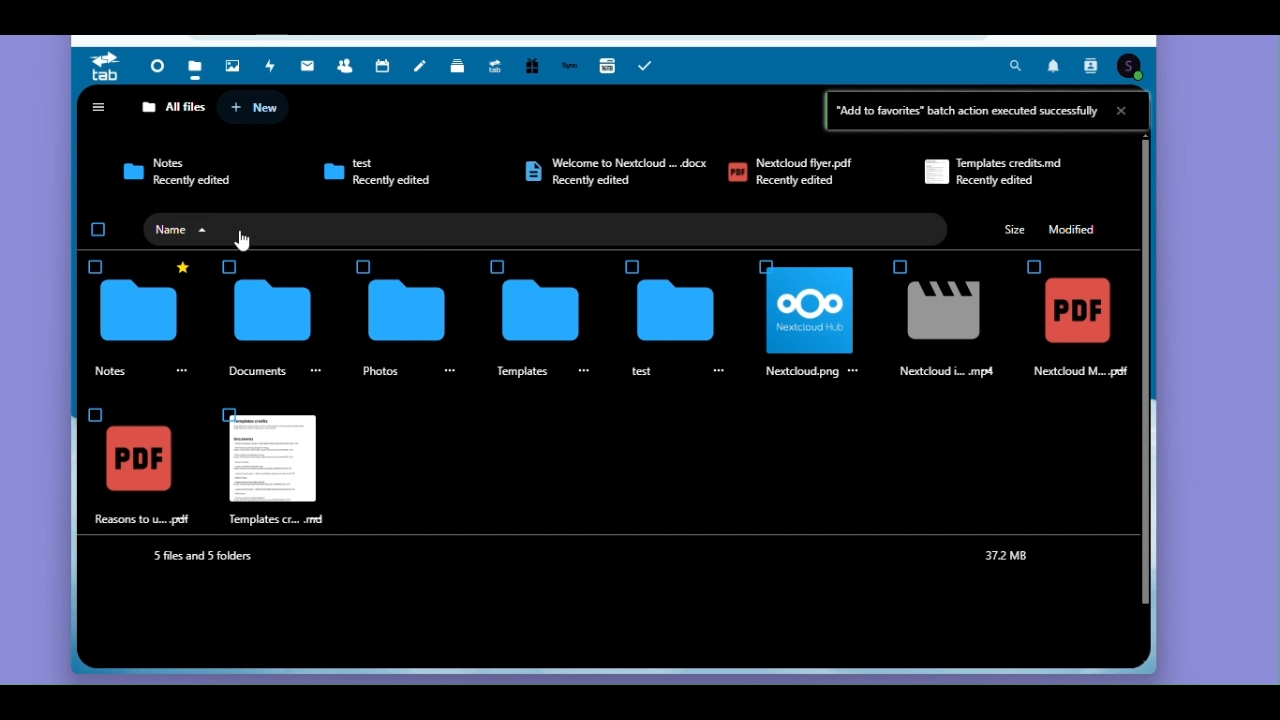 This screenshot has height=720, width=1280. What do you see at coordinates (531, 66) in the screenshot?
I see `Free tier` at bounding box center [531, 66].